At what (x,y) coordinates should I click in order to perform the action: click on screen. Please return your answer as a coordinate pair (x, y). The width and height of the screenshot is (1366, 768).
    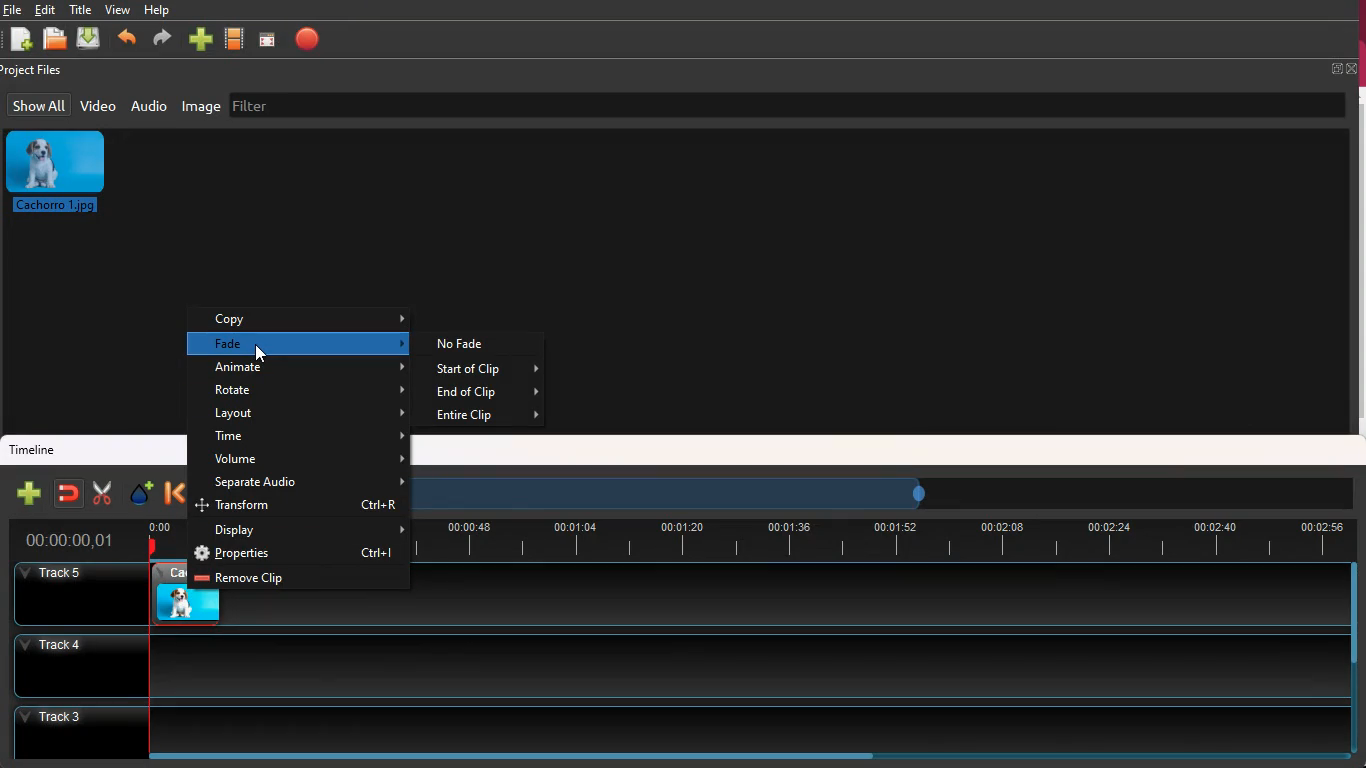
    Looking at the image, I should click on (271, 39).